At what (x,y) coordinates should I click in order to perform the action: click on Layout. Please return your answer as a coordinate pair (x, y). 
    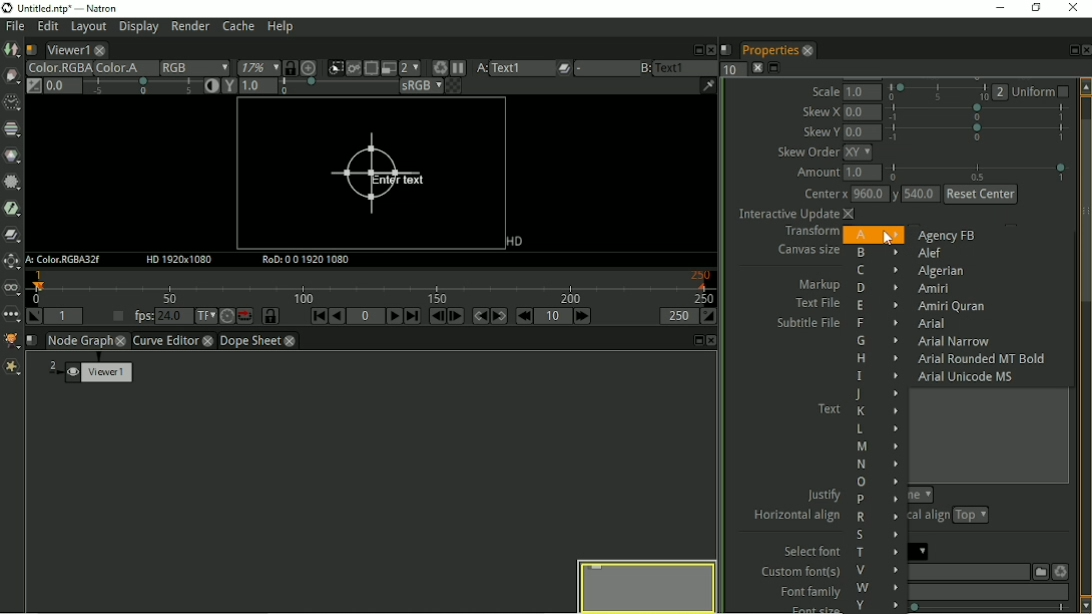
    Looking at the image, I should click on (87, 29).